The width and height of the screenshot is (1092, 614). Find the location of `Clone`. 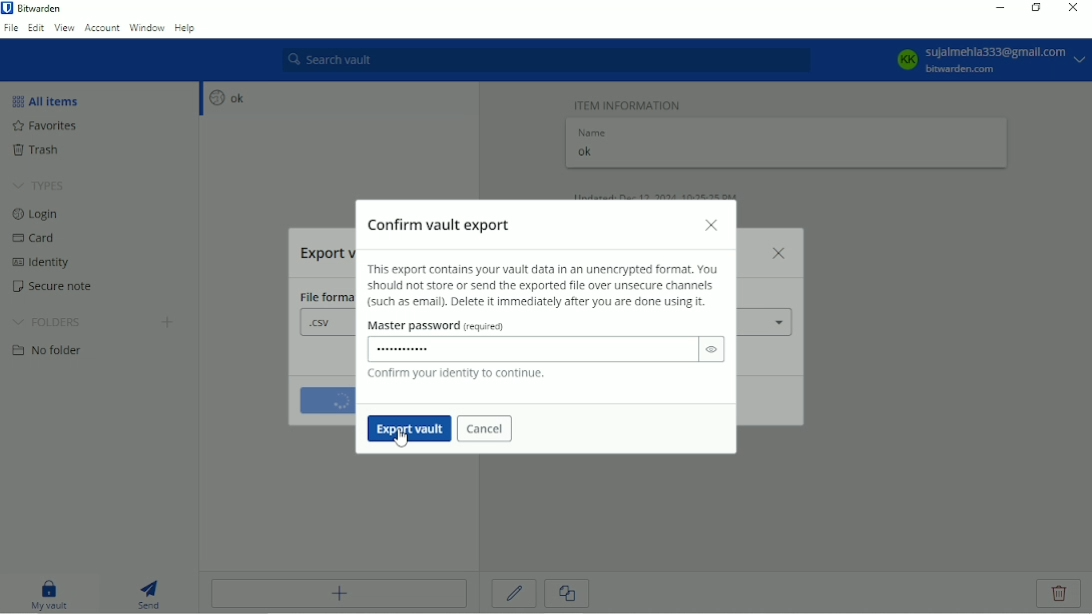

Clone is located at coordinates (566, 594).